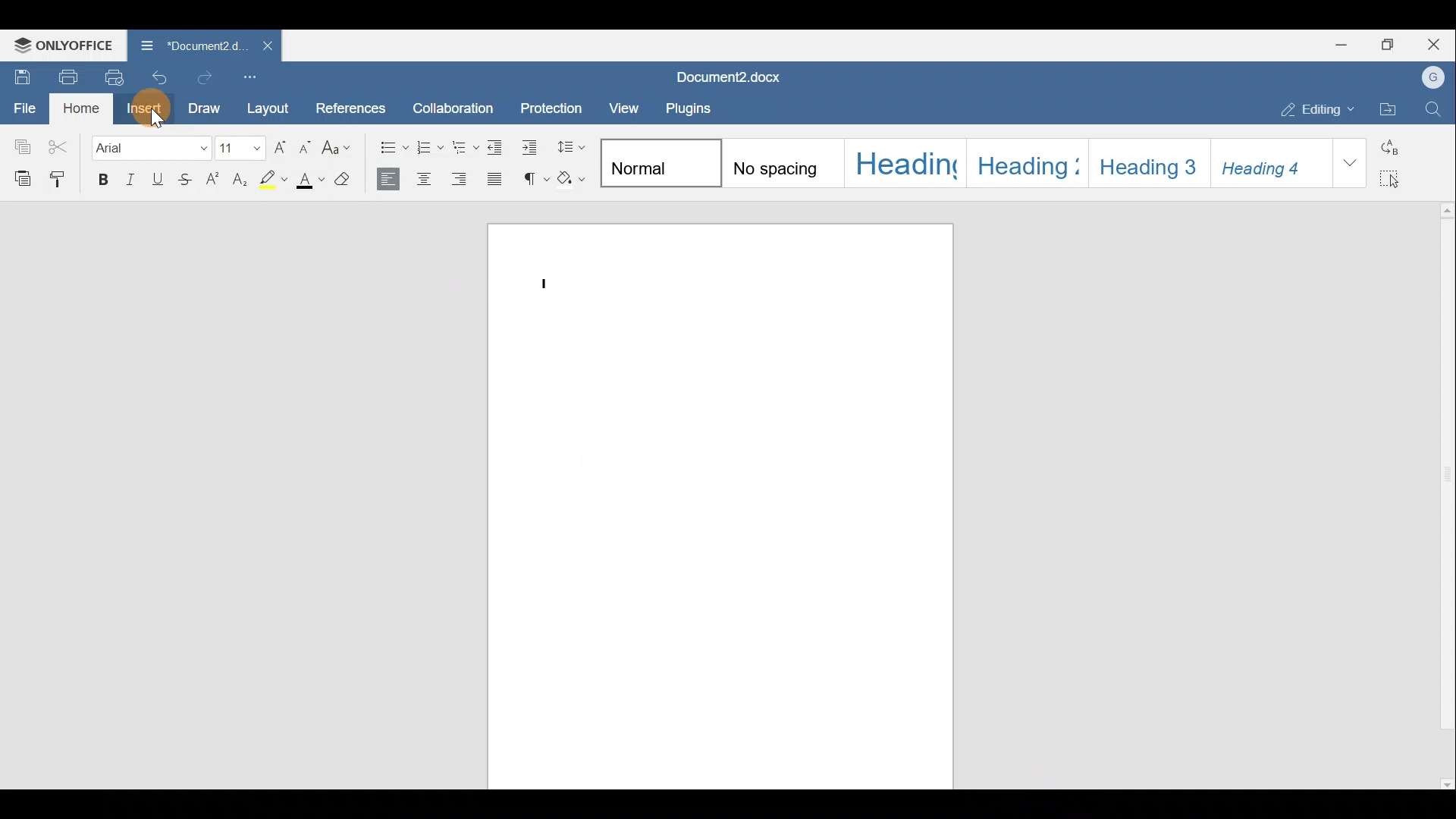 The image size is (1456, 819). I want to click on Align left, so click(388, 179).